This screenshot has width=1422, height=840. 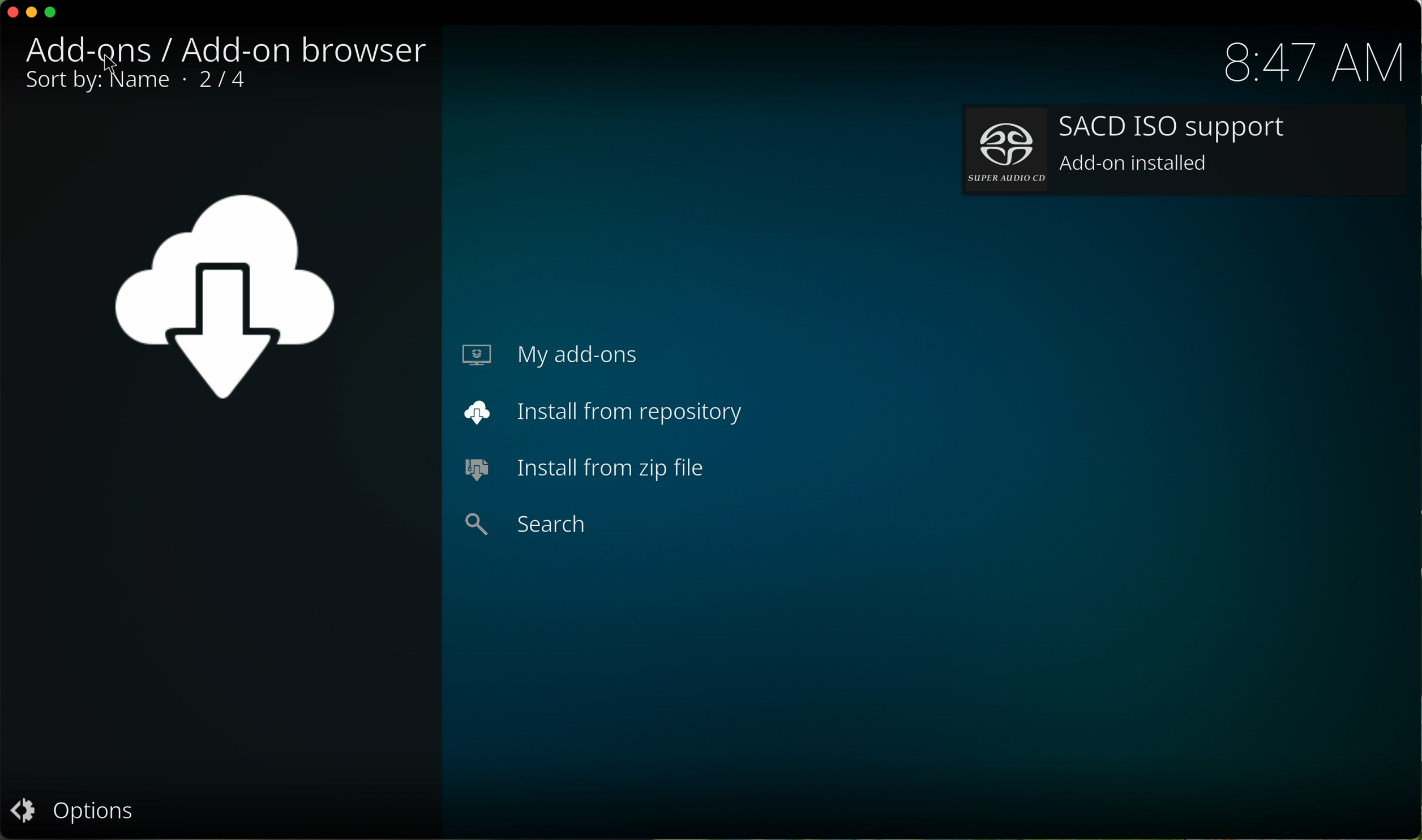 I want to click on my add-ons, so click(x=549, y=354).